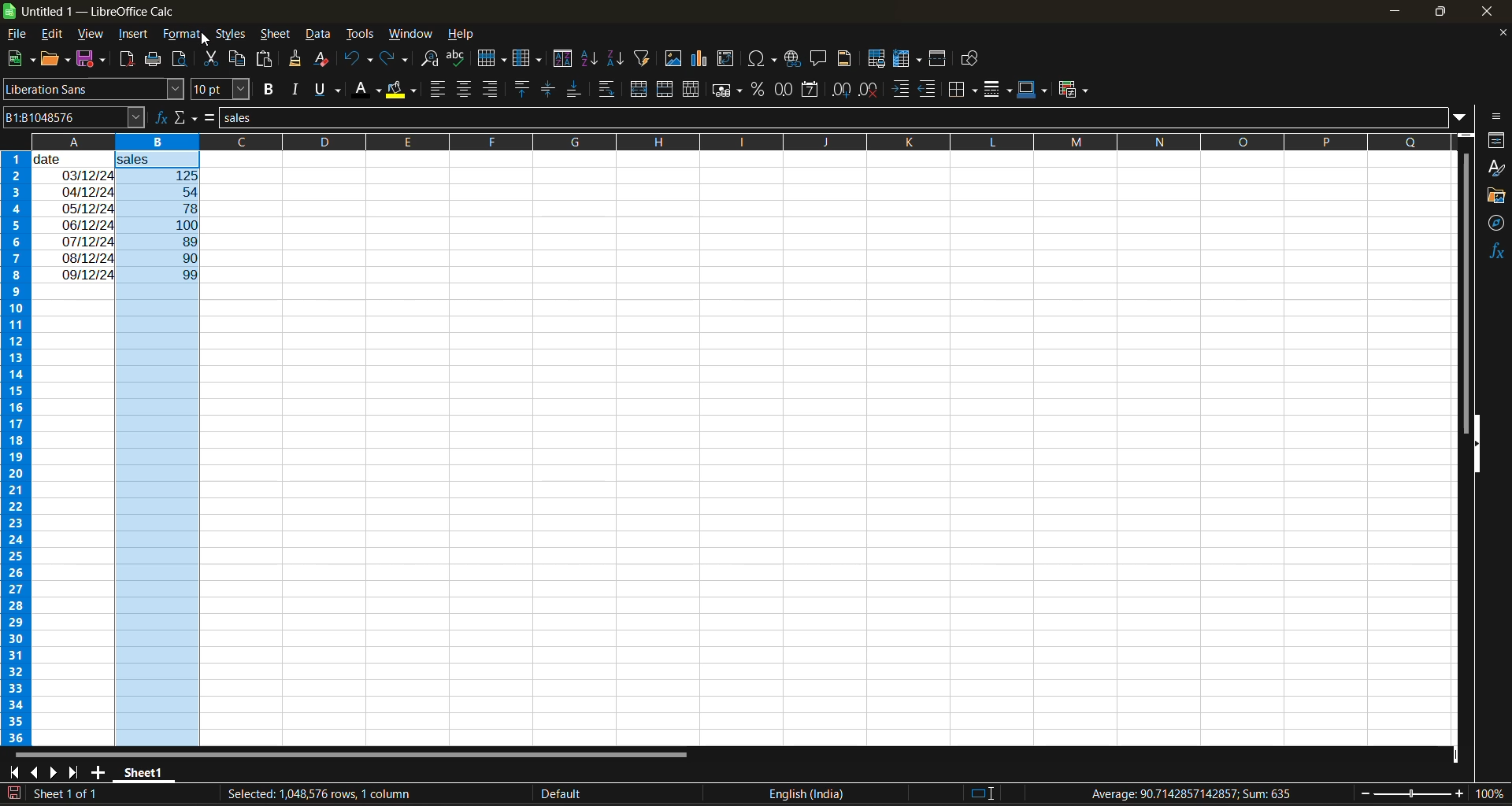  What do you see at coordinates (13, 773) in the screenshot?
I see `scroll to first sheet` at bounding box center [13, 773].